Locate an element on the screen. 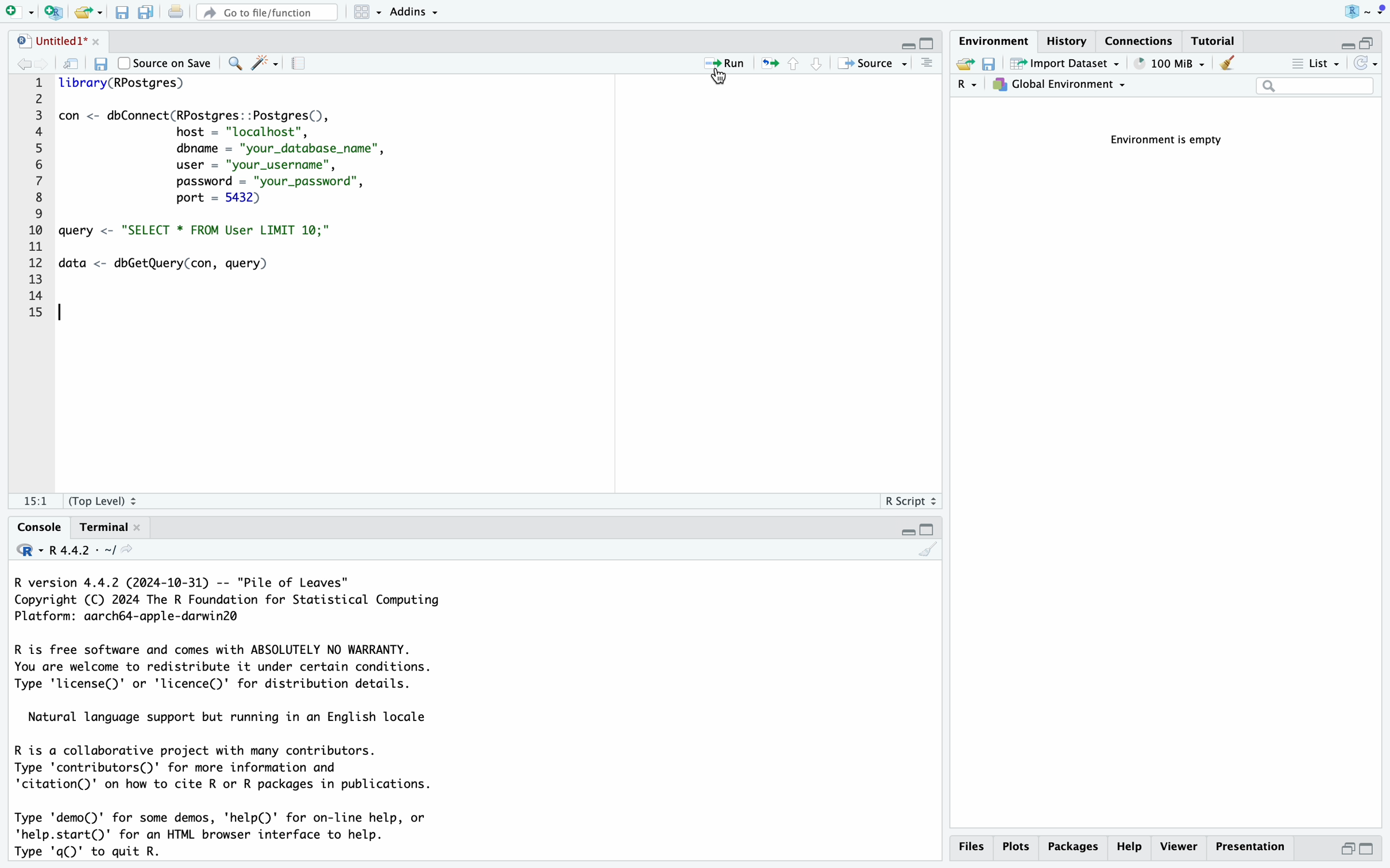 The image size is (1390, 868). create a project is located at coordinates (52, 11).